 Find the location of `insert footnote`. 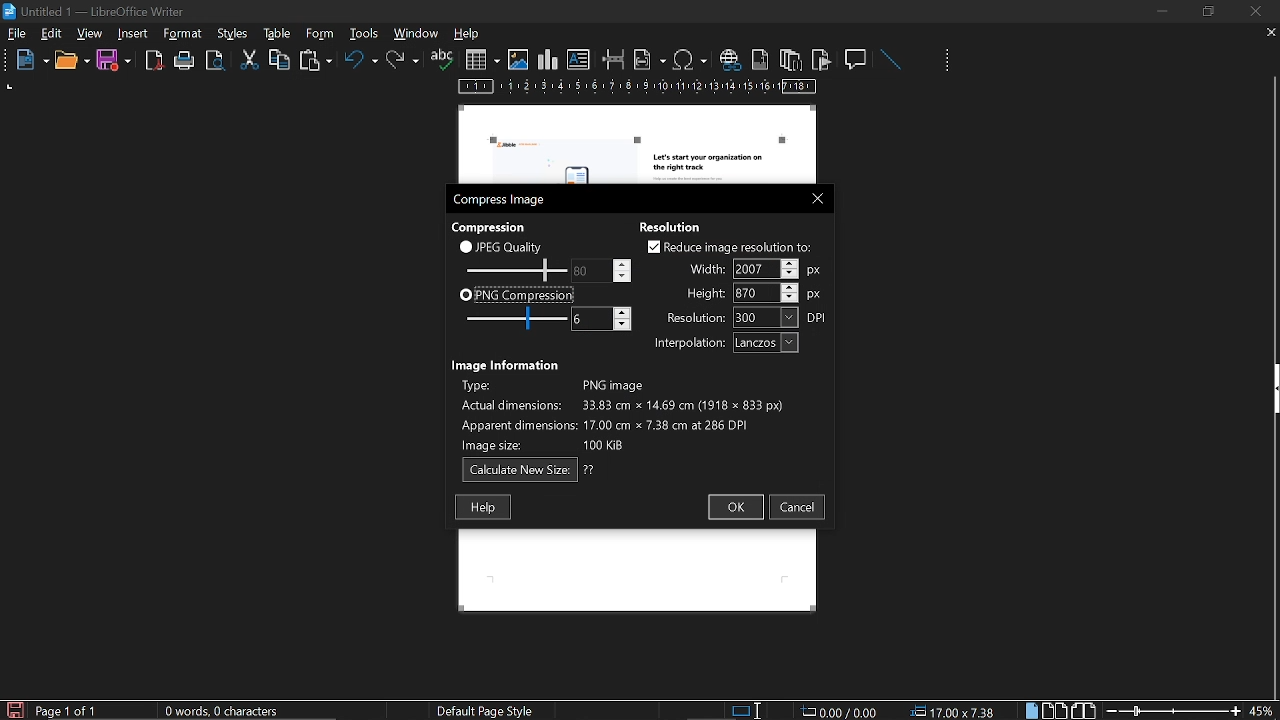

insert footnote is located at coordinates (758, 59).